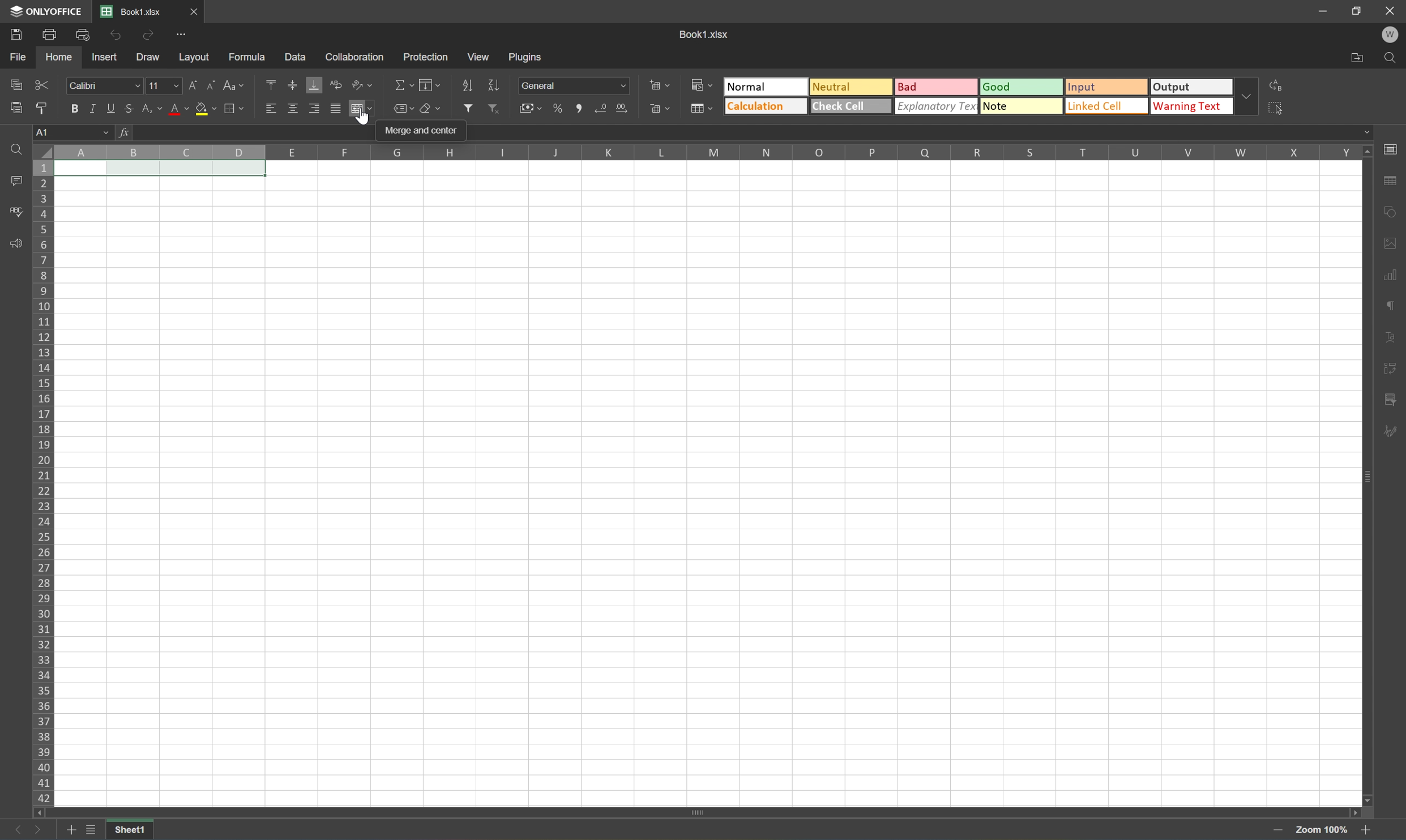  What do you see at coordinates (13, 108) in the screenshot?
I see `Paste` at bounding box center [13, 108].